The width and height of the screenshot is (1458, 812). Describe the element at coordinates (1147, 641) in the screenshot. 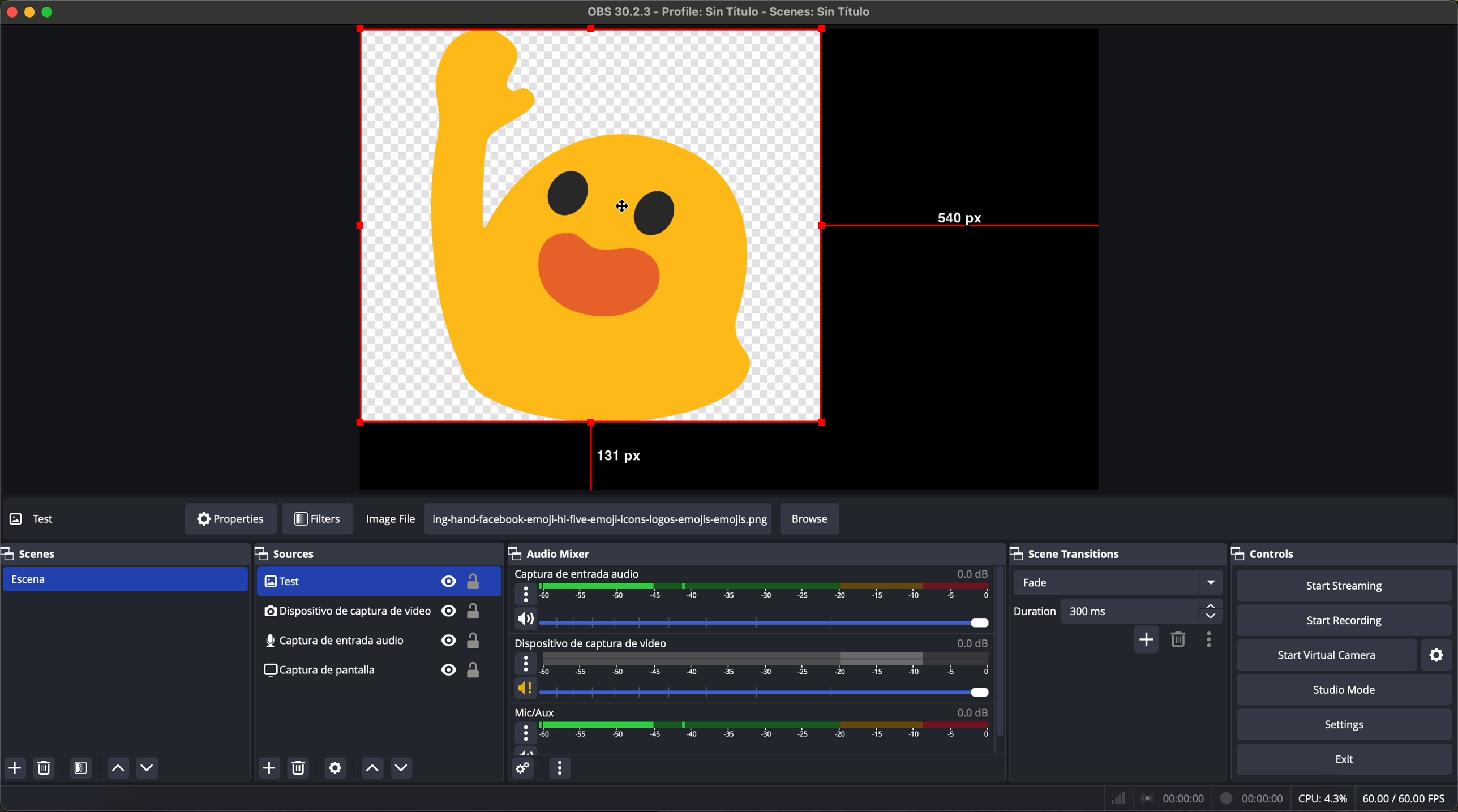

I see `add configurable transition` at that location.